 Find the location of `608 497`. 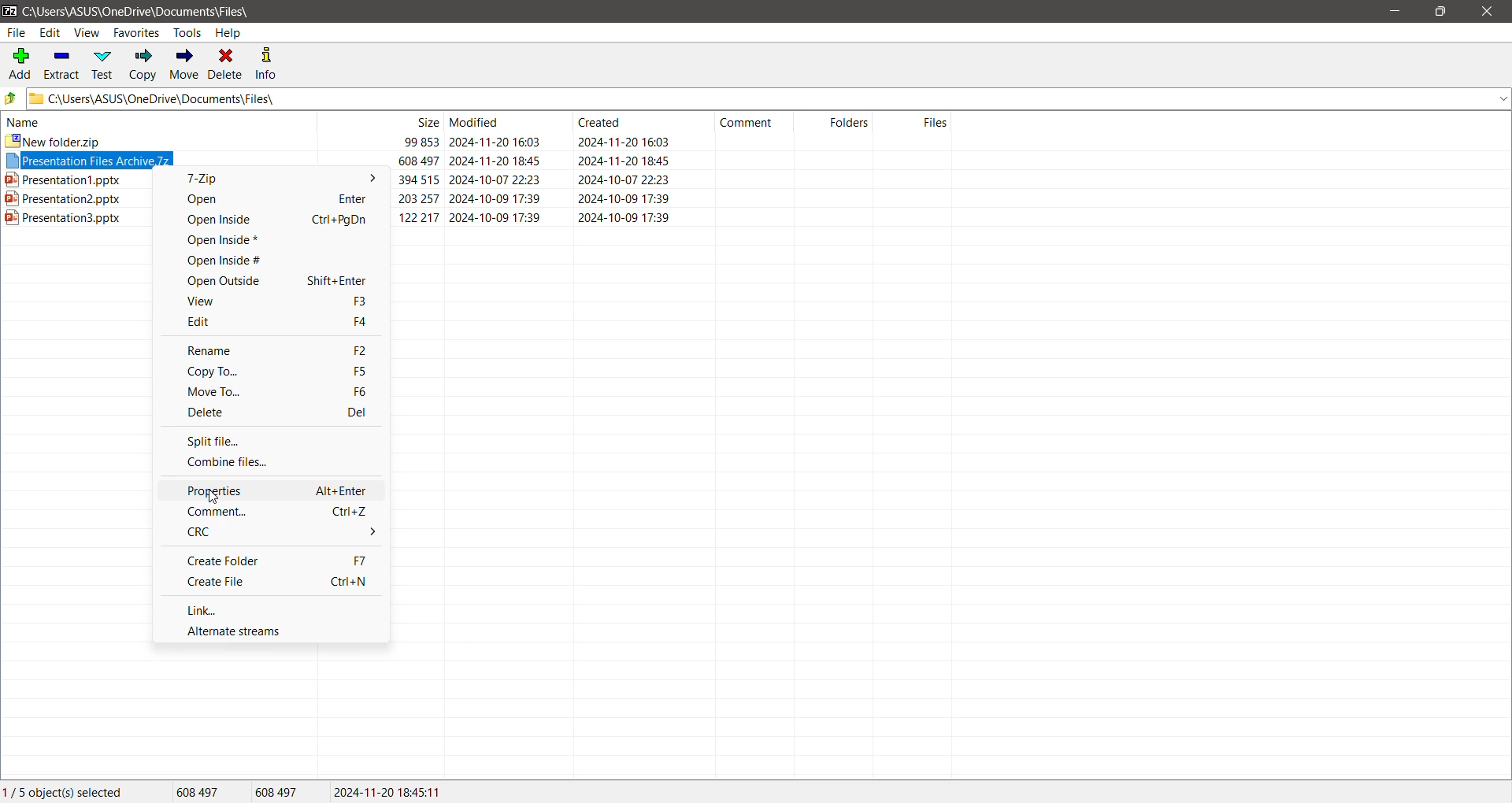

608 497 is located at coordinates (277, 790).